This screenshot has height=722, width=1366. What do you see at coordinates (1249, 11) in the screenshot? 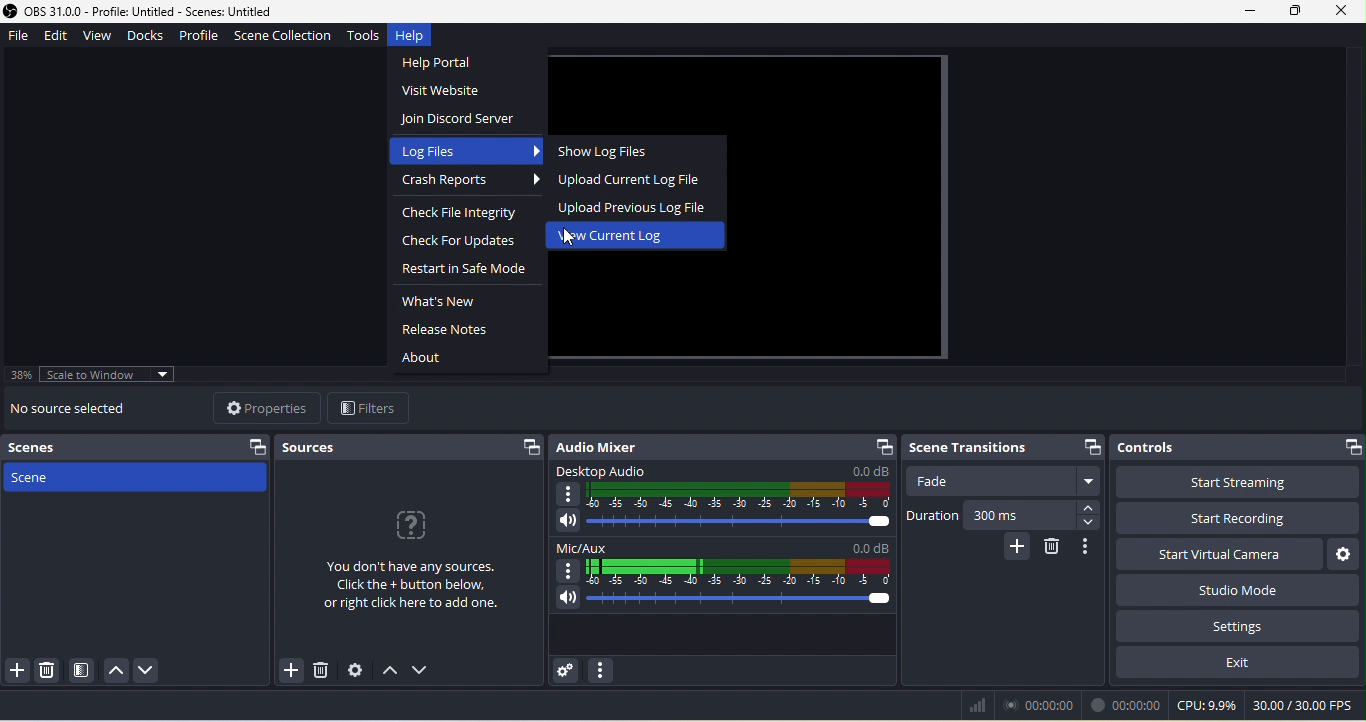
I see `minimize` at bounding box center [1249, 11].